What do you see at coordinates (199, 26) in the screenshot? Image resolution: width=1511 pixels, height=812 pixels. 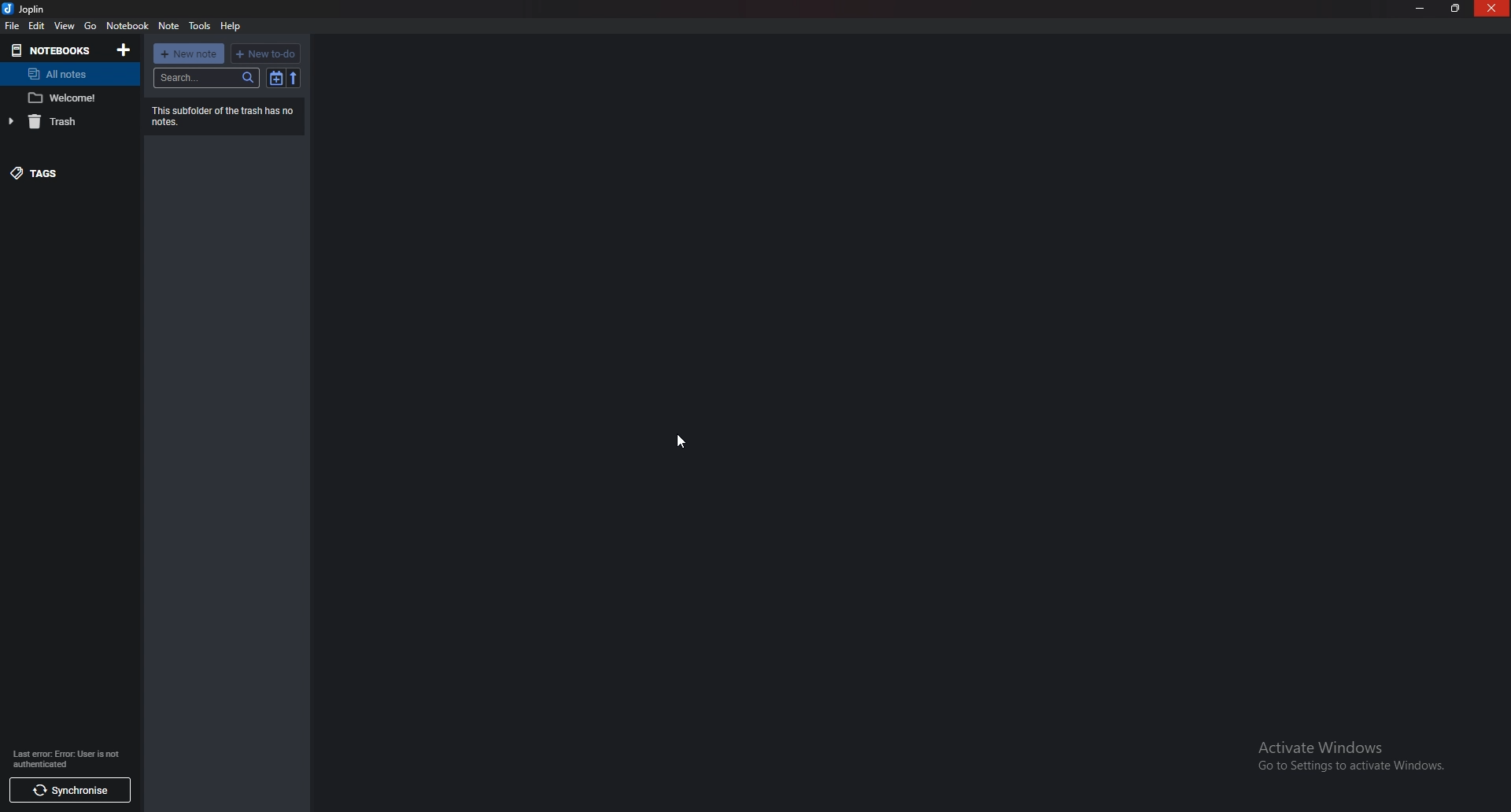 I see `Tools` at bounding box center [199, 26].